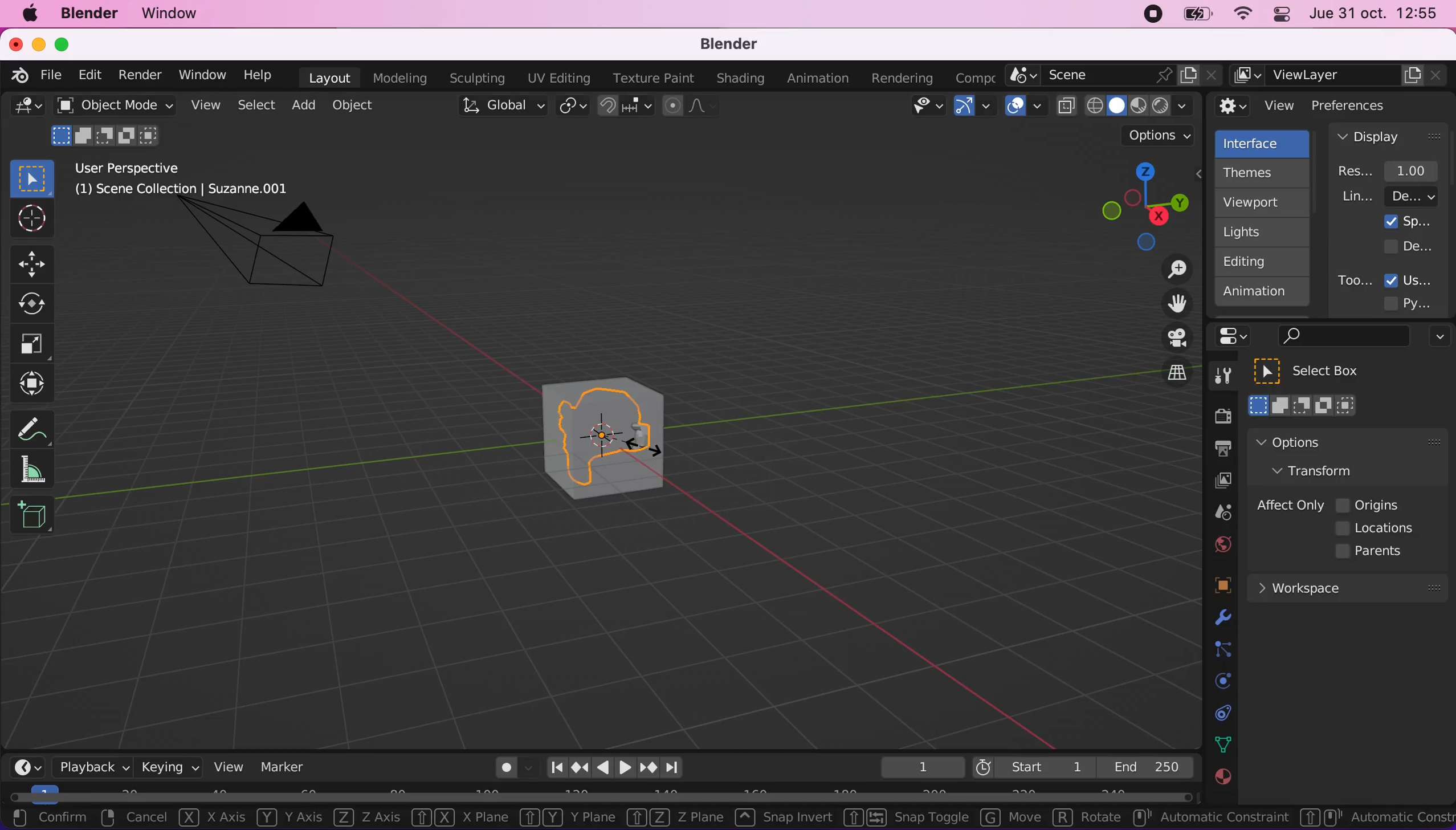 The height and width of the screenshot is (830, 1456). Describe the element at coordinates (925, 108) in the screenshot. I see `view object types` at that location.